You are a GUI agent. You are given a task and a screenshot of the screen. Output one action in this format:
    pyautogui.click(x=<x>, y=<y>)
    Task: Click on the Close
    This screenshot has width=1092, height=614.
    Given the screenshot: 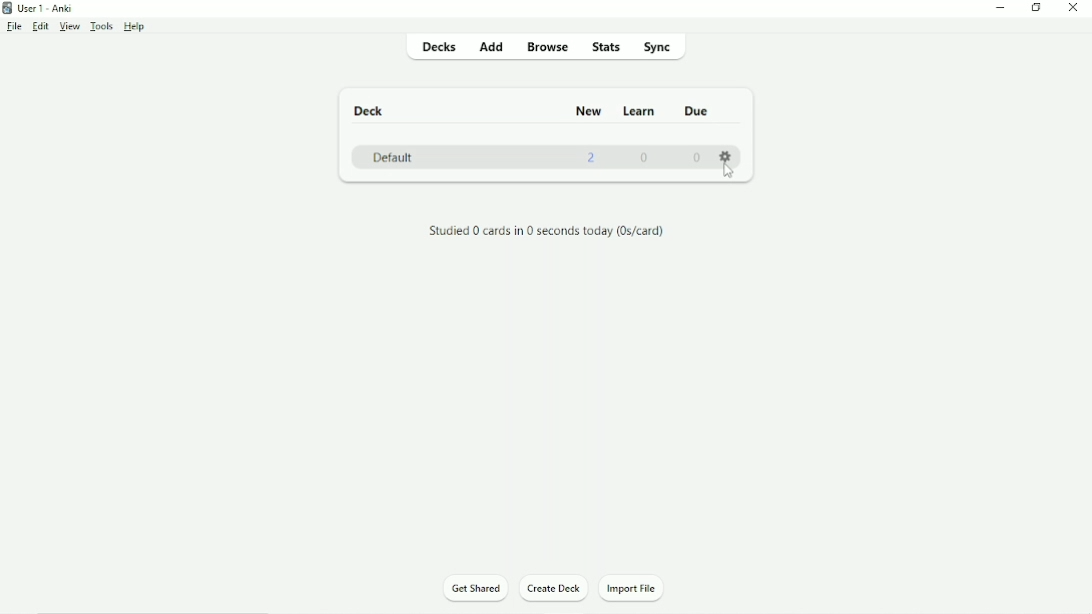 What is the action you would take?
    pyautogui.click(x=1072, y=9)
    